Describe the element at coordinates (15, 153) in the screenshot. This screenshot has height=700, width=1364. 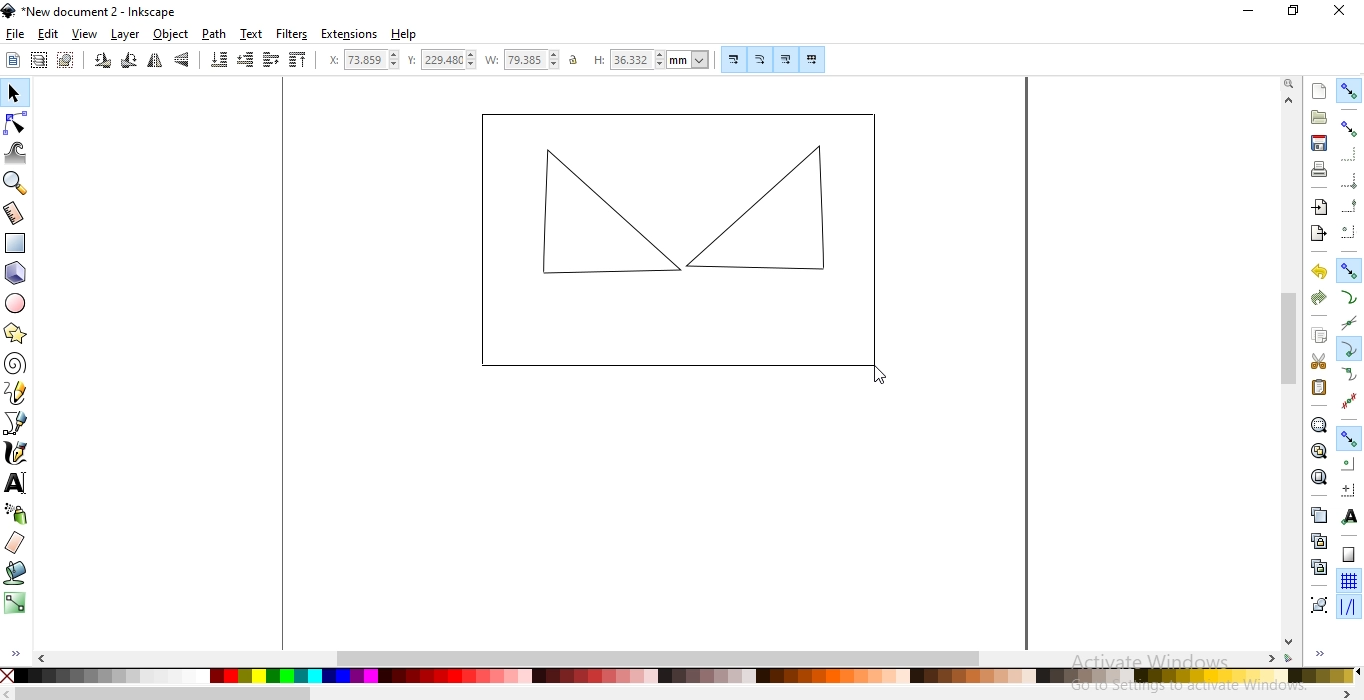
I see `tweak objects by sculpting or painting` at that location.